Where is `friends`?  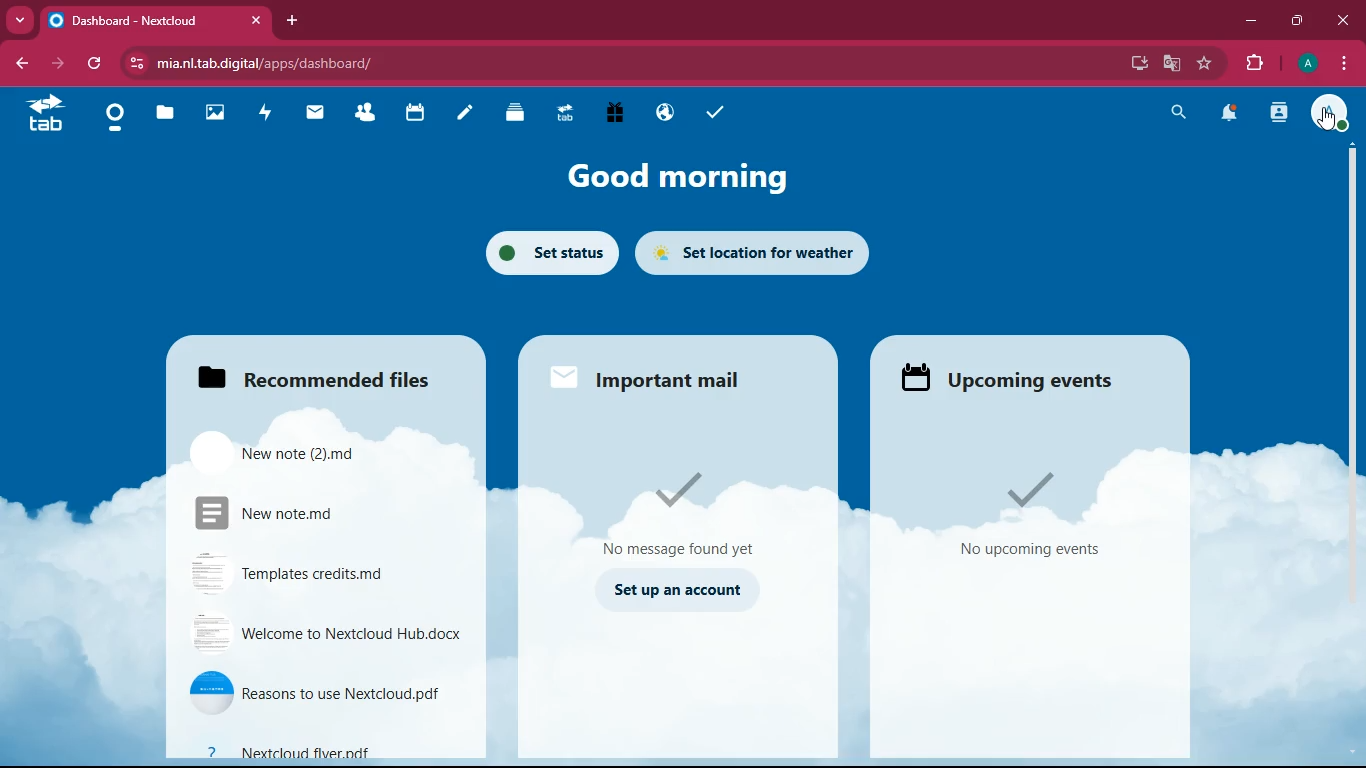
friends is located at coordinates (369, 114).